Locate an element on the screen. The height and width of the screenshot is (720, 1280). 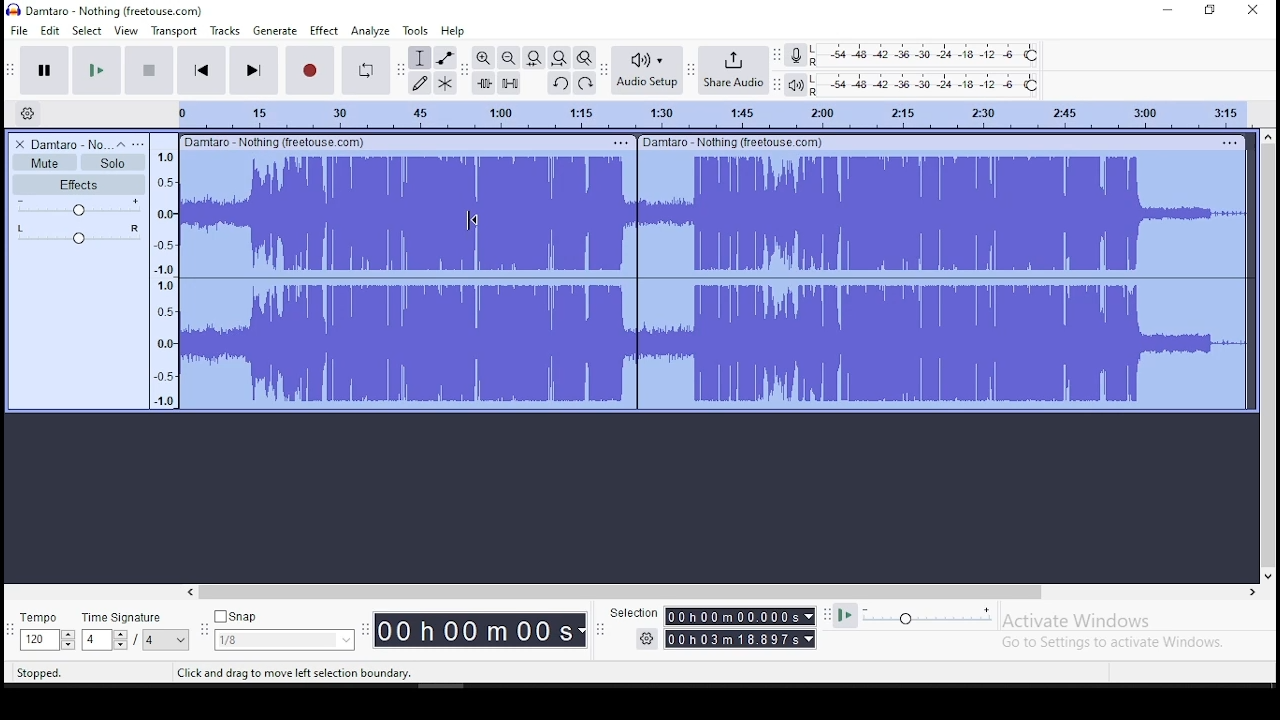
pan is located at coordinates (77, 236).